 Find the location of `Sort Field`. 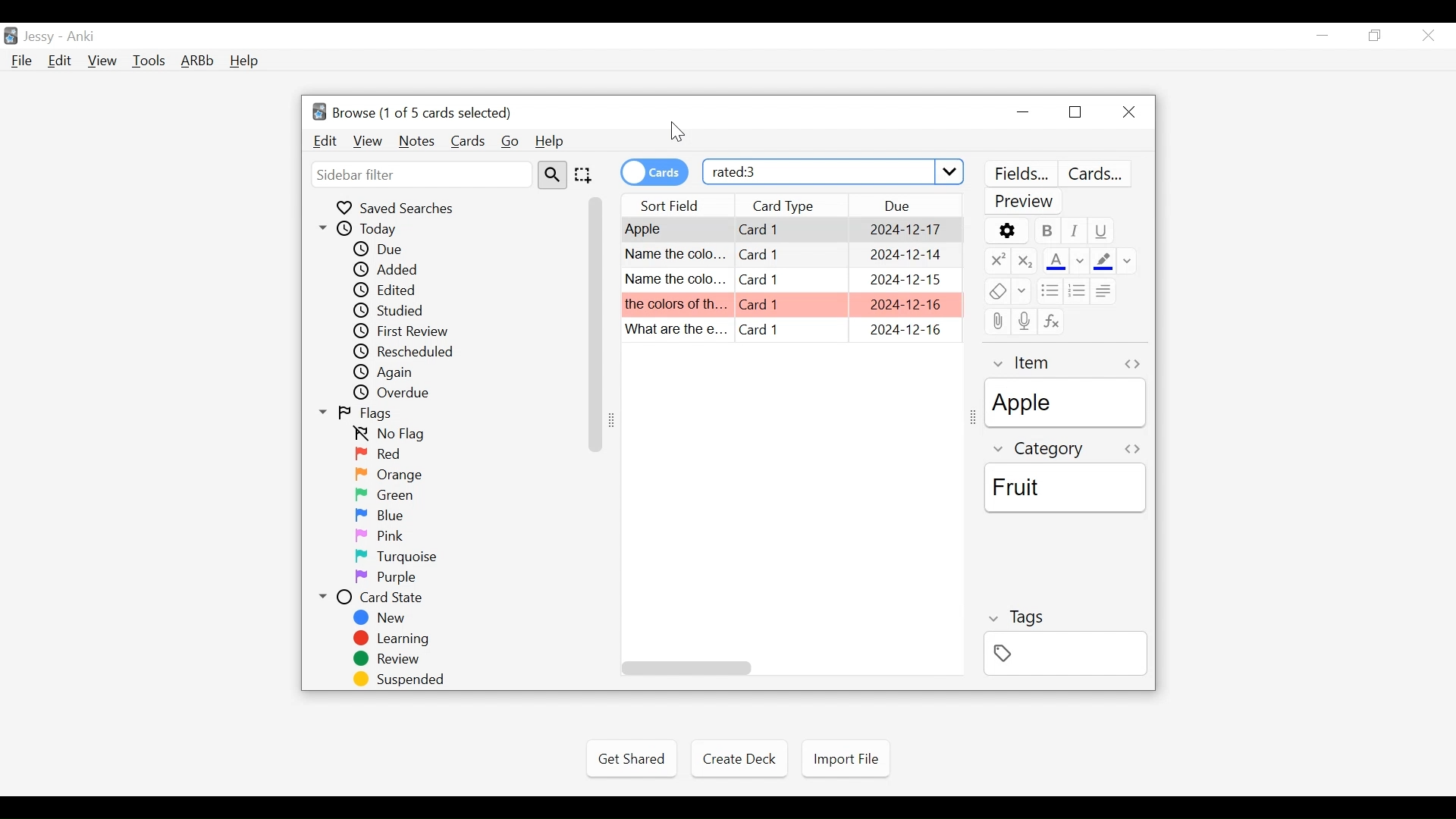

Sort Field is located at coordinates (673, 206).